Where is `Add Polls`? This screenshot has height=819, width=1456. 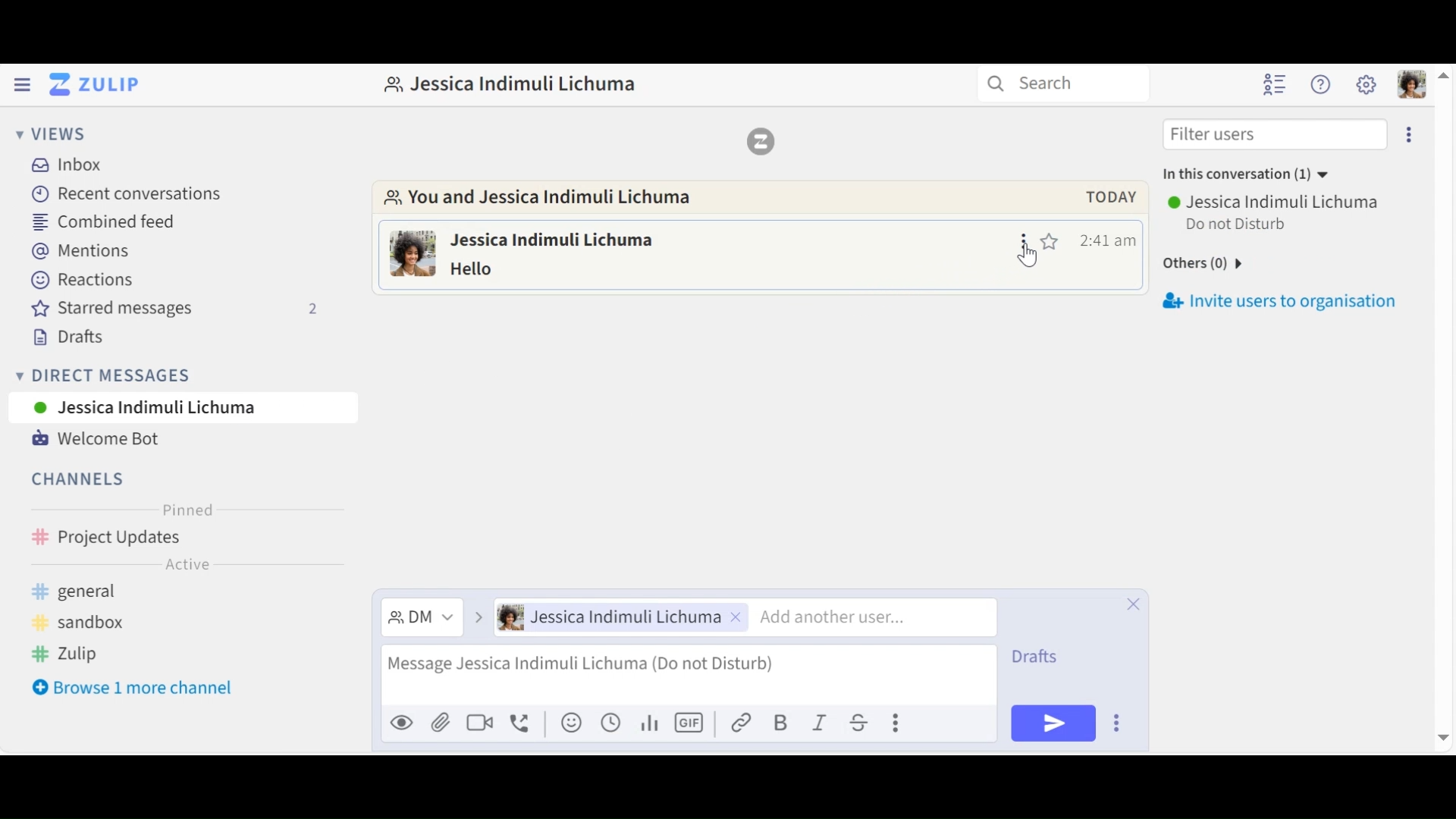
Add Polls is located at coordinates (648, 722).